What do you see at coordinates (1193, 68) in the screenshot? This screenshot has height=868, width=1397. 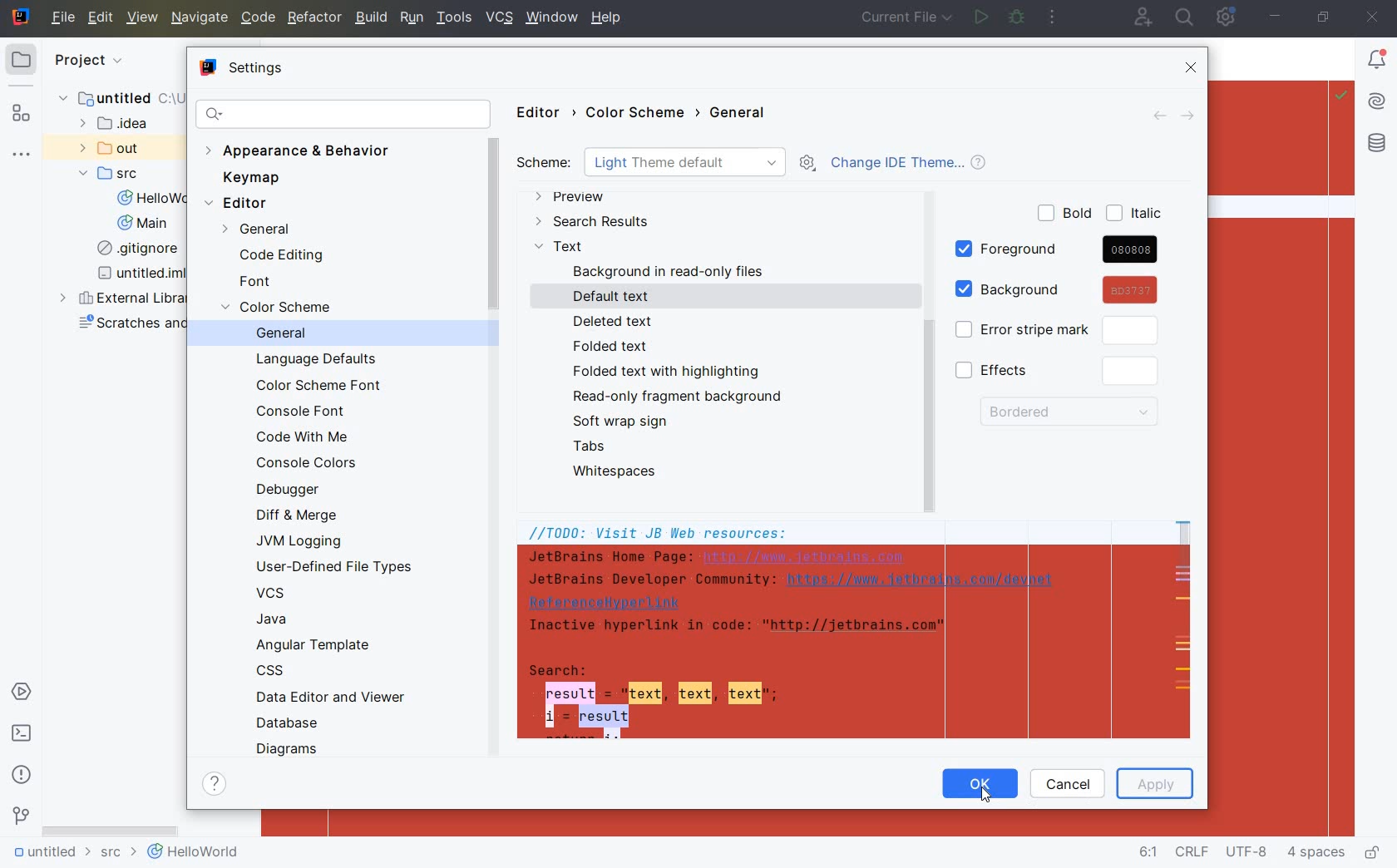 I see `CLOSE` at bounding box center [1193, 68].